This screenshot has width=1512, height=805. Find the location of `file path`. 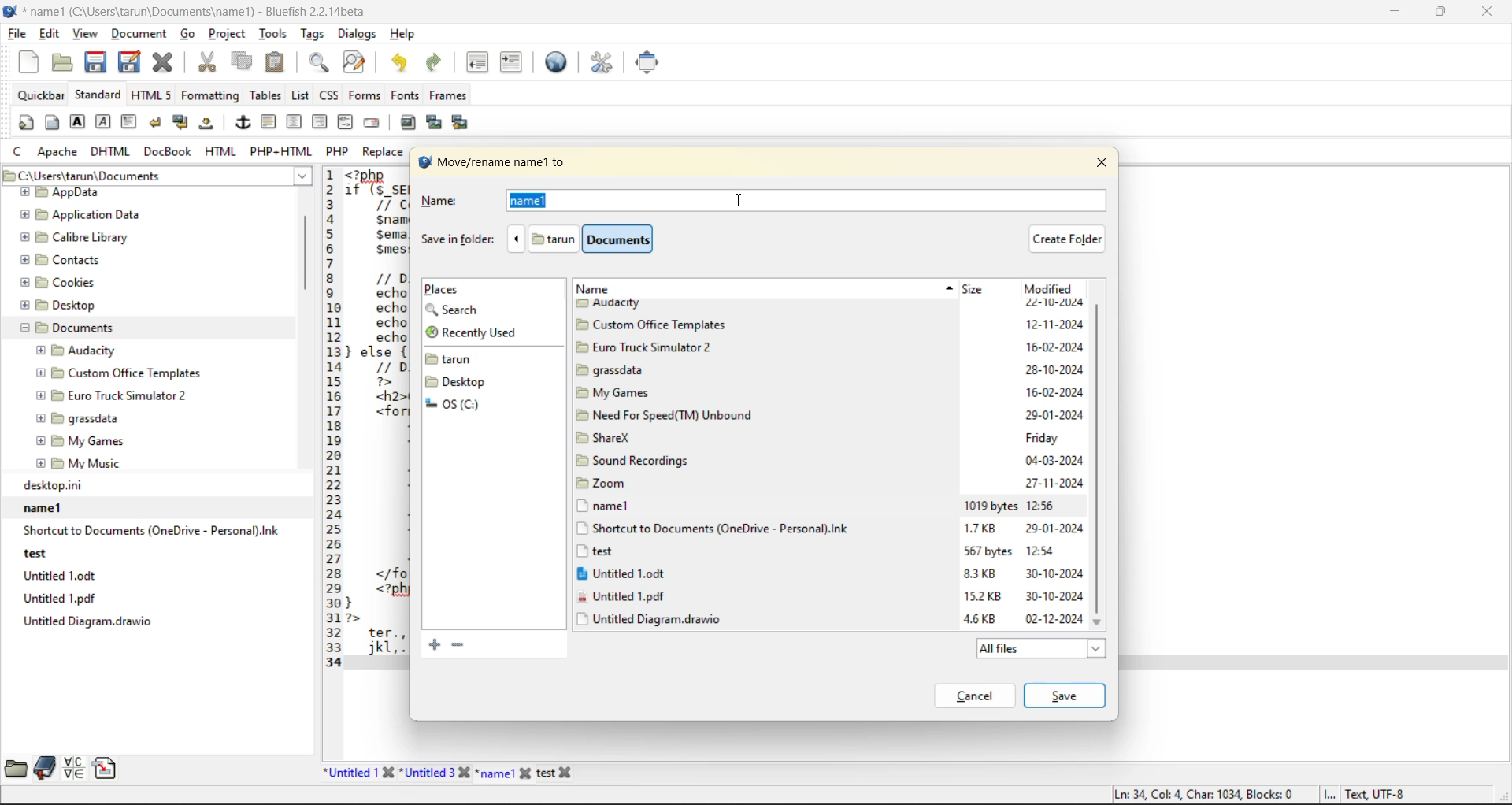

file path is located at coordinates (592, 239).